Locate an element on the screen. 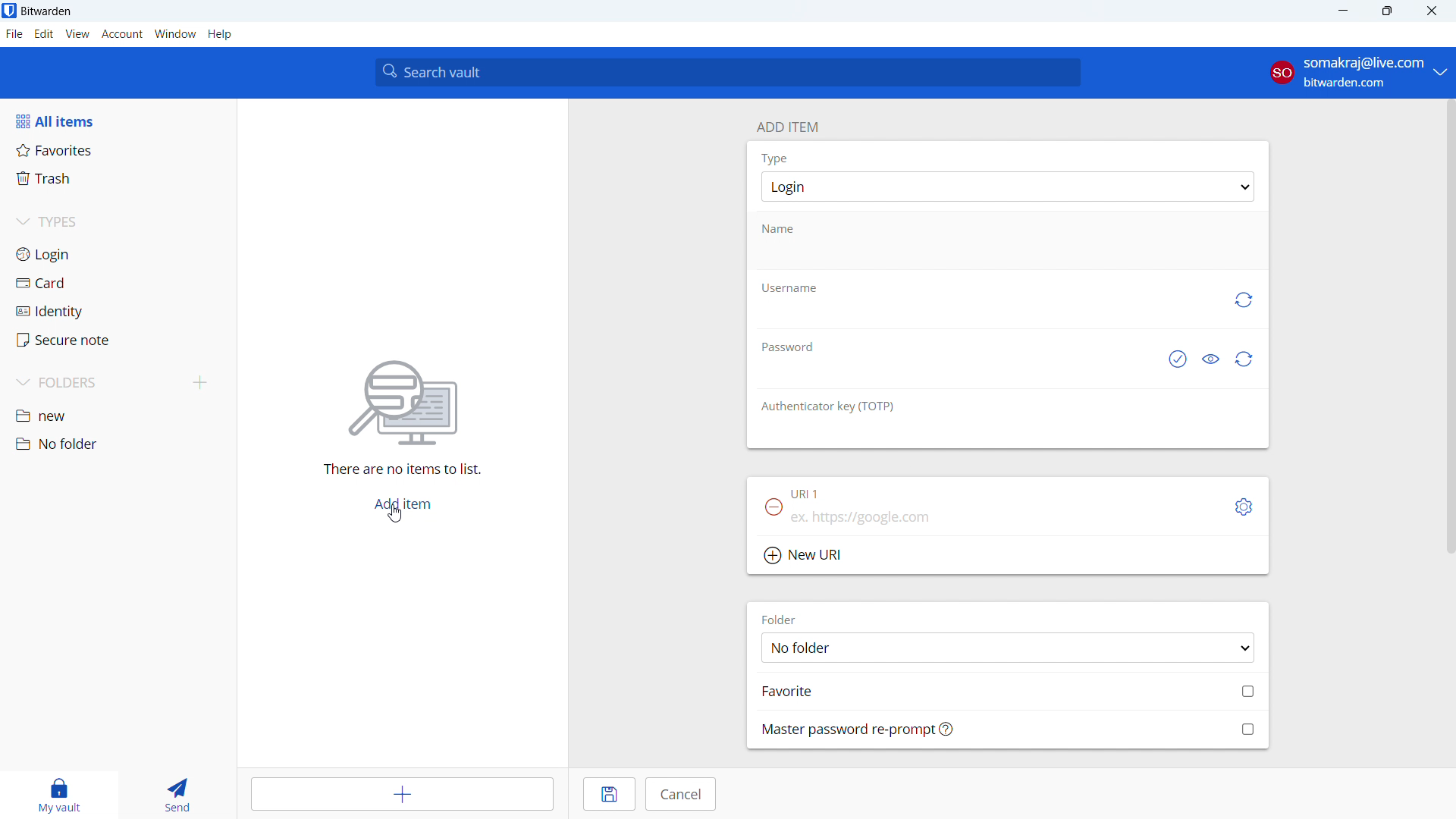 This screenshot has width=1456, height=819. otp is located at coordinates (830, 406).